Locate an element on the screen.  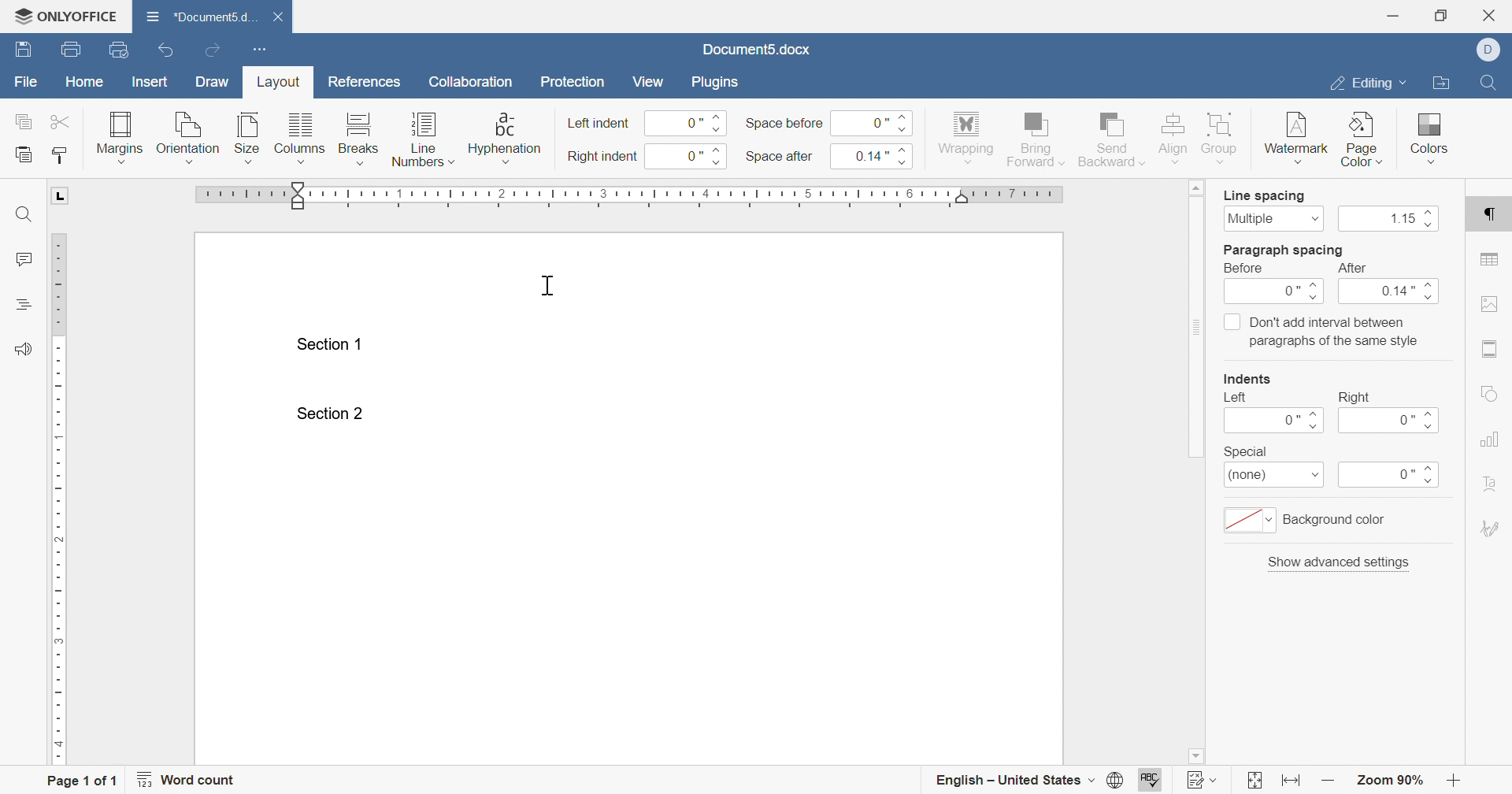
redo is located at coordinates (213, 50).